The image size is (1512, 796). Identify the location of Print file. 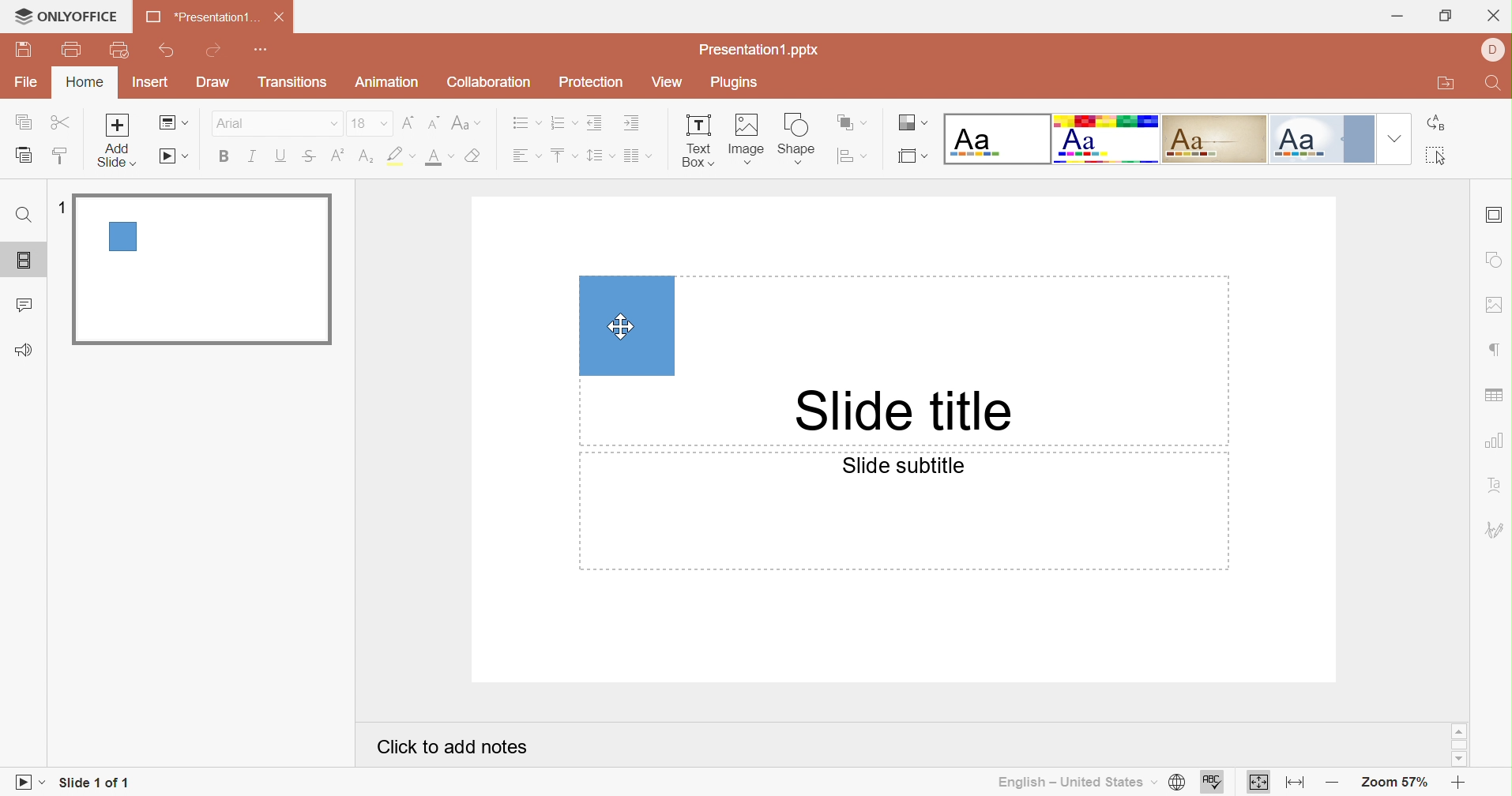
(75, 48).